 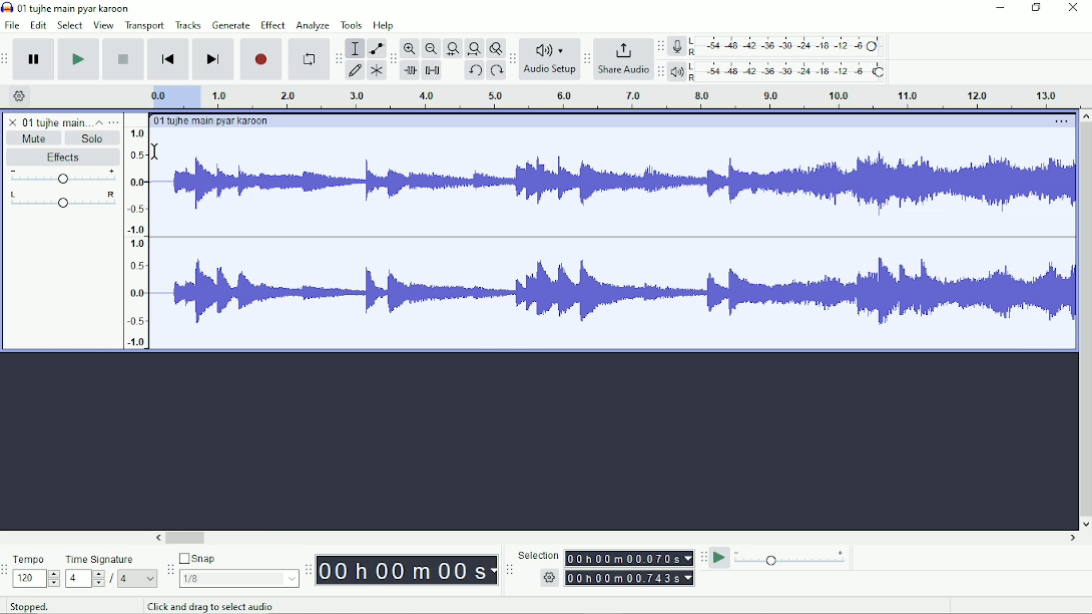 What do you see at coordinates (113, 579) in the screenshot?
I see `/` at bounding box center [113, 579].